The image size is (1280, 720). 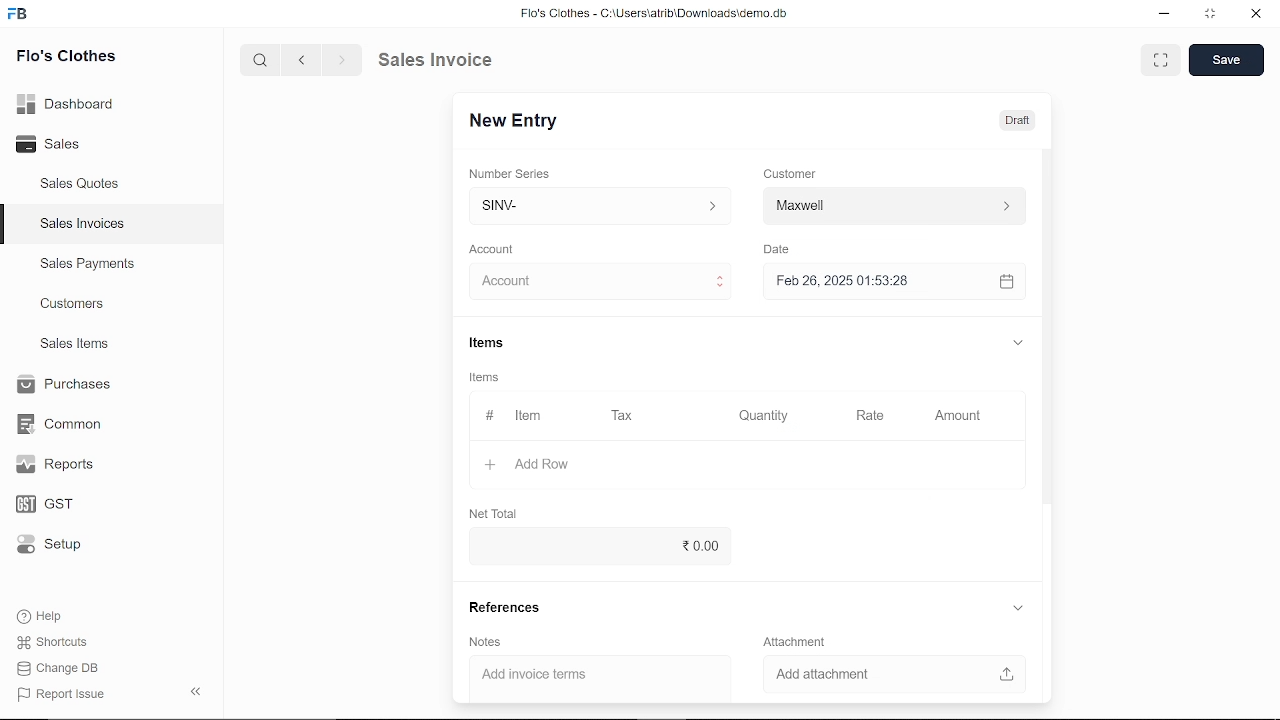 What do you see at coordinates (18, 16) in the screenshot?
I see `frappe books` at bounding box center [18, 16].